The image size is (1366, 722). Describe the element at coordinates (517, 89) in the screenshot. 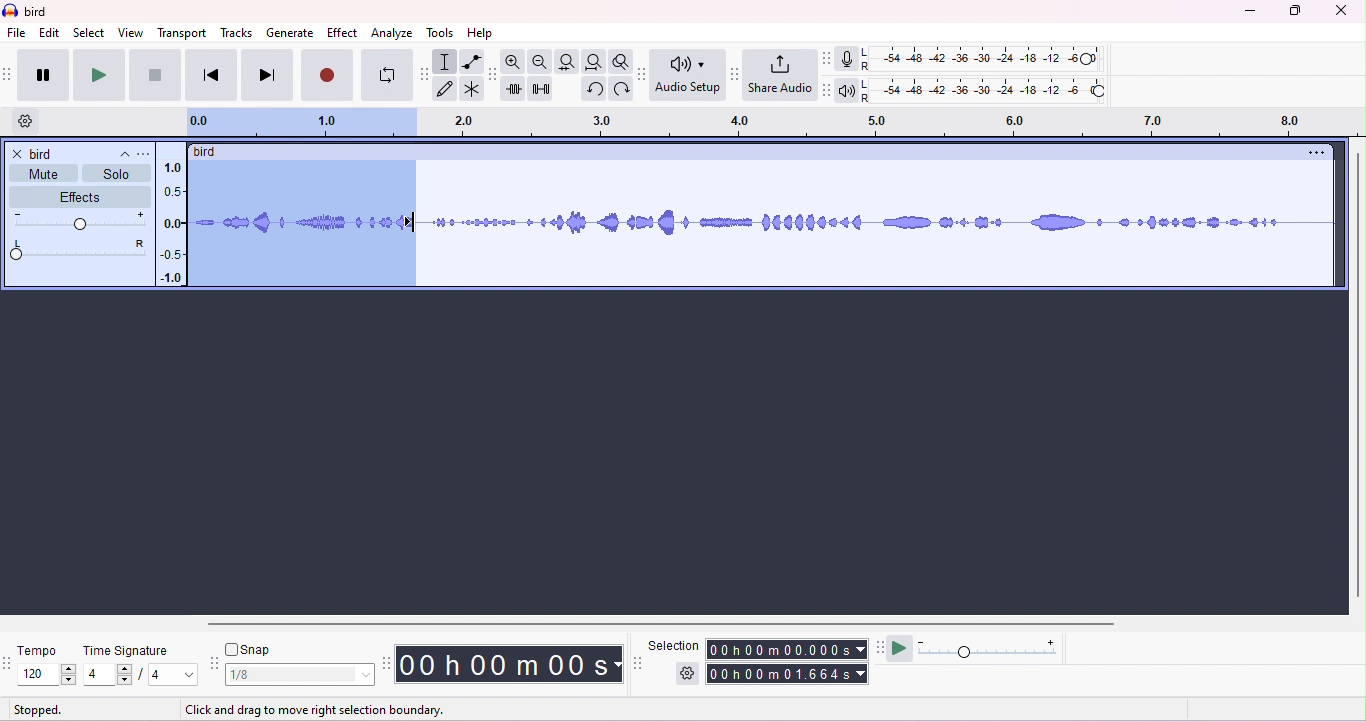

I see `trim outside selection` at that location.